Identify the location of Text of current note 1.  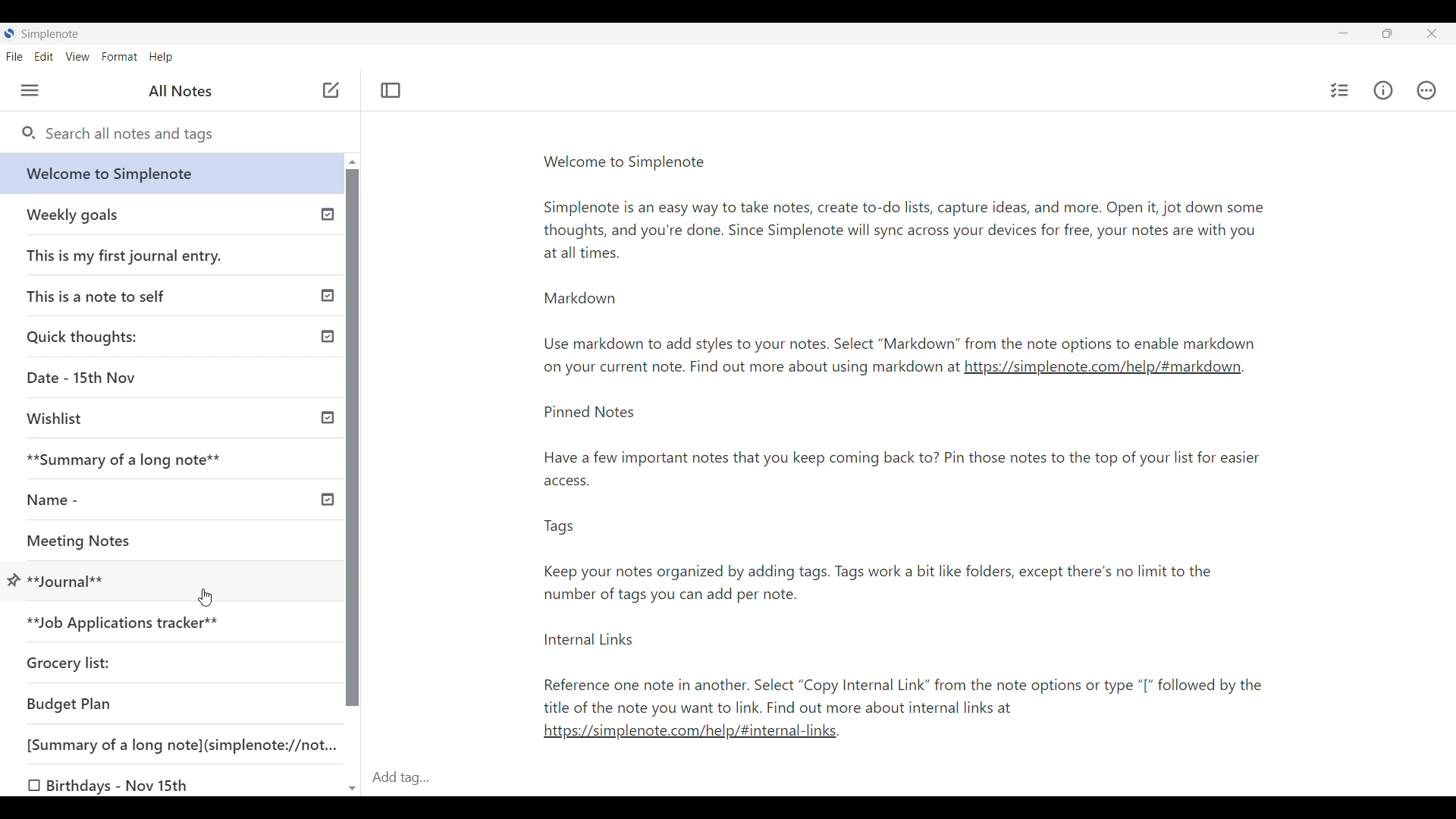
(914, 253).